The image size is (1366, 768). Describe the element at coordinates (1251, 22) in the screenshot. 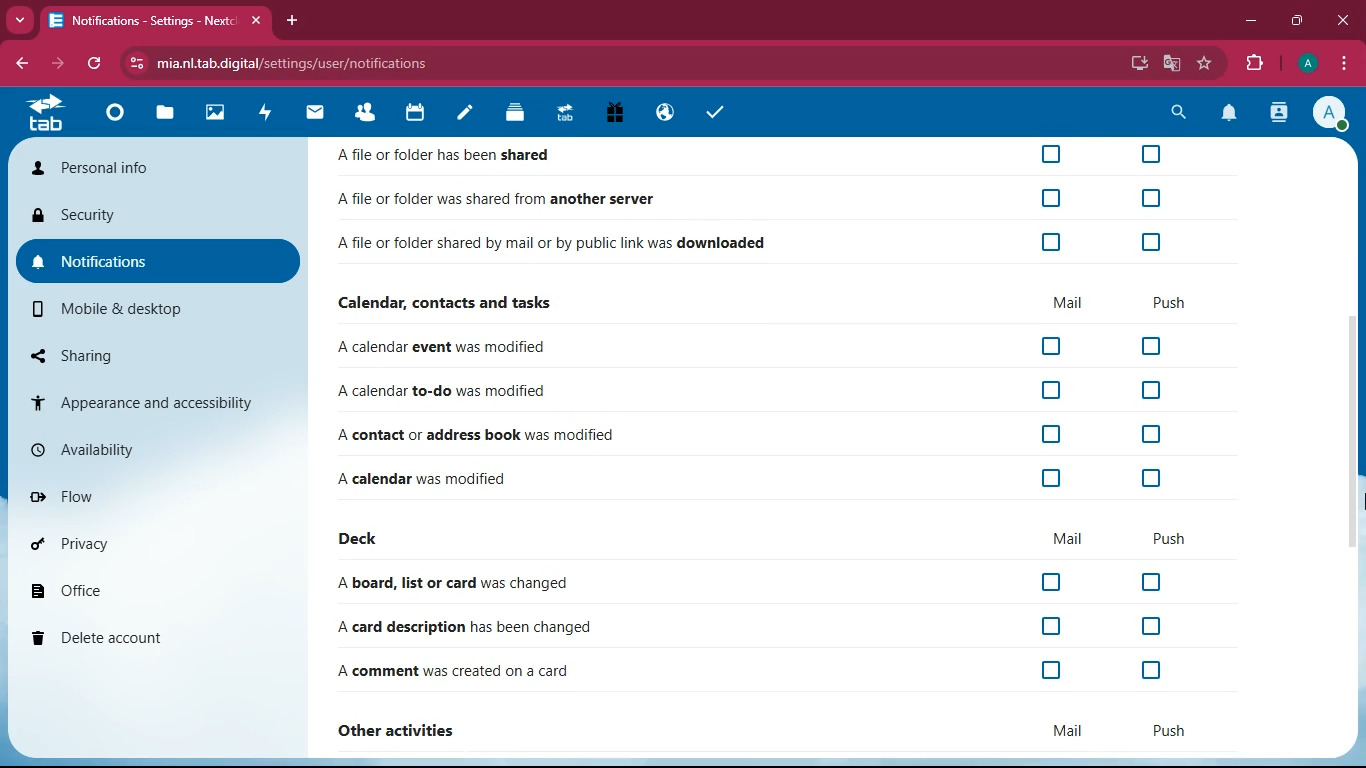

I see `minimize` at that location.